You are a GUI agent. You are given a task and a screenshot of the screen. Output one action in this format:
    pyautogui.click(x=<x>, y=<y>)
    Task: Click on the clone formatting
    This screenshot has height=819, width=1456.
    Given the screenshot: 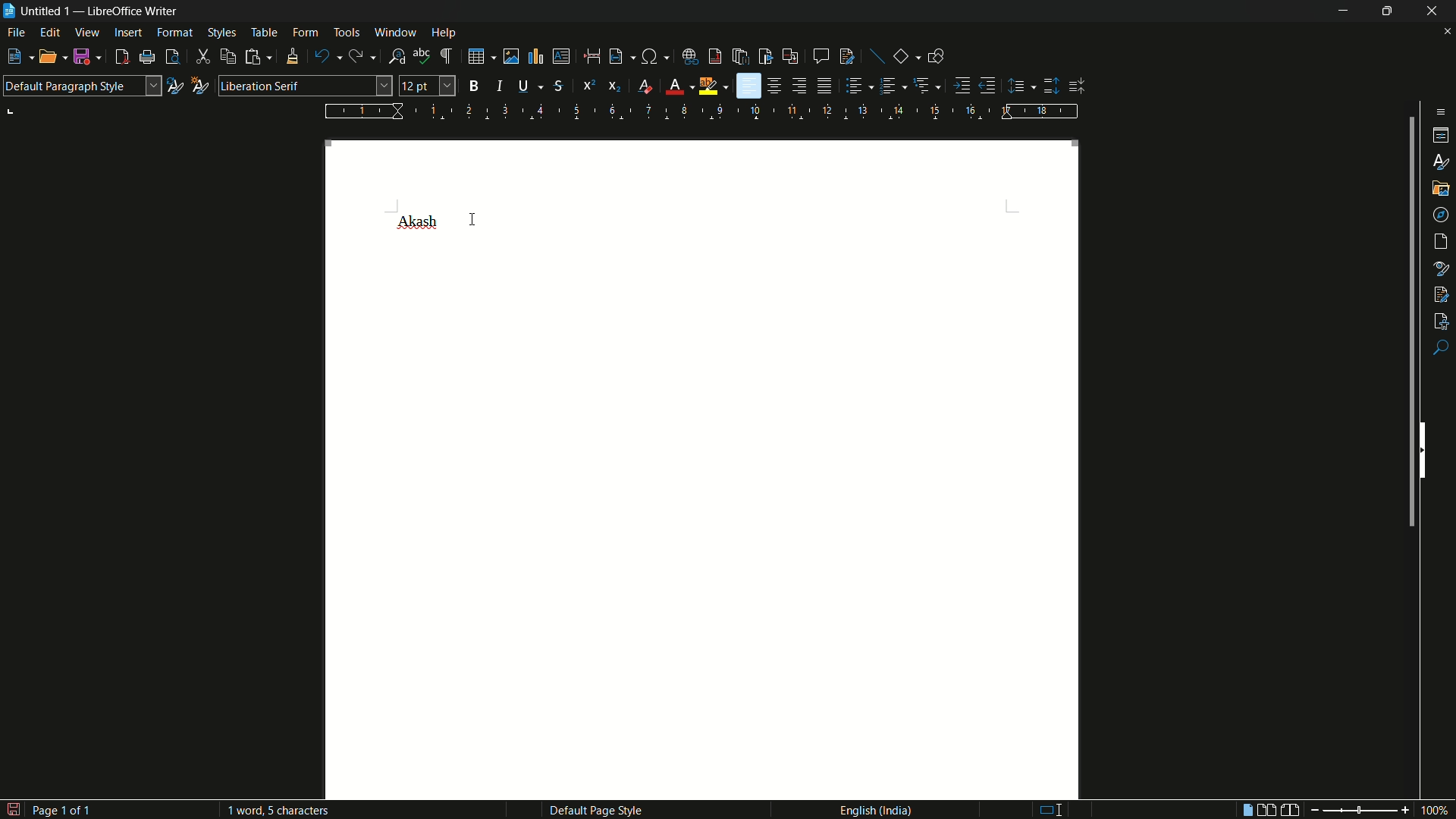 What is the action you would take?
    pyautogui.click(x=291, y=56)
    